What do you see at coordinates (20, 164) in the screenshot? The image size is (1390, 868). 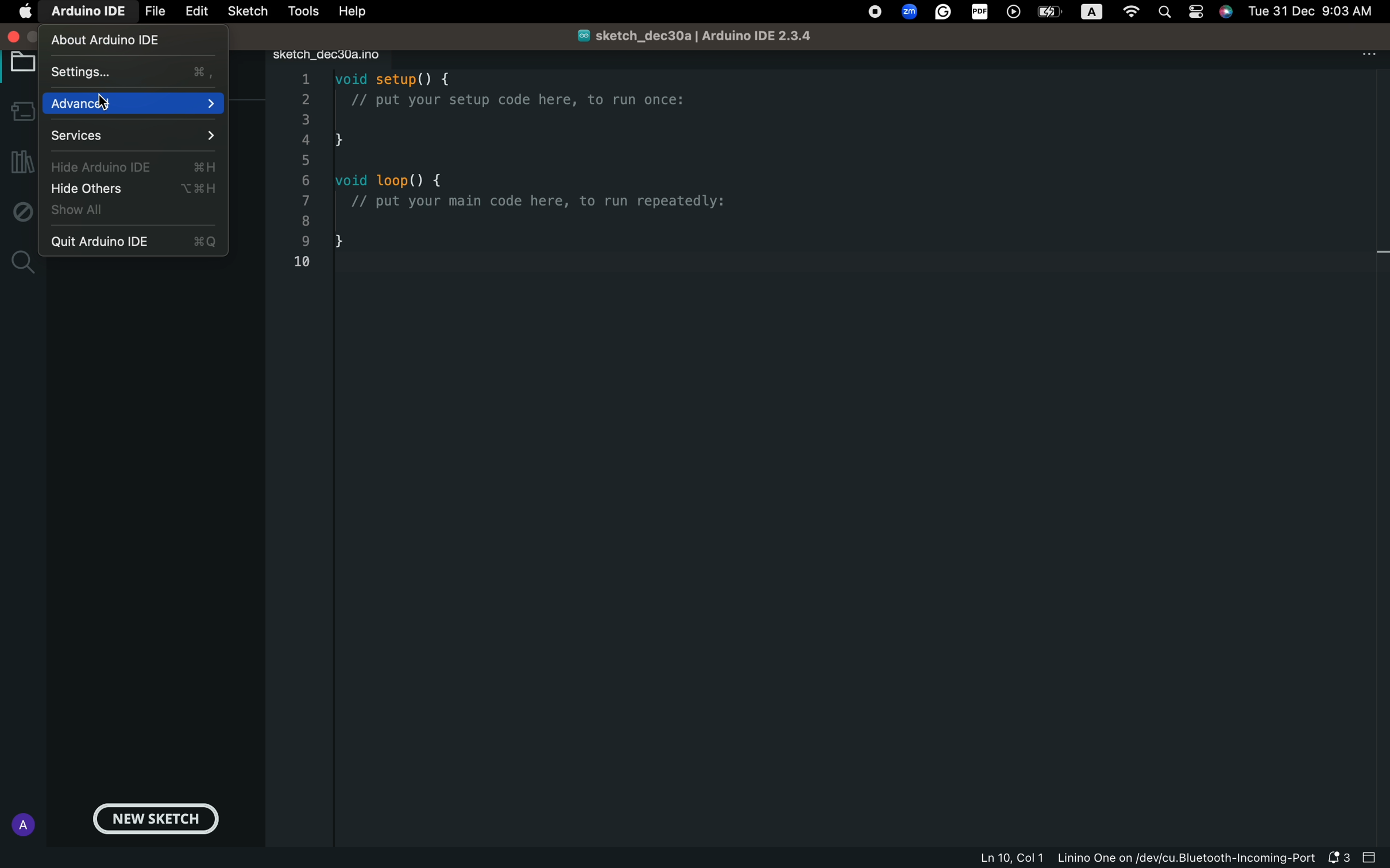 I see `library manager` at bounding box center [20, 164].